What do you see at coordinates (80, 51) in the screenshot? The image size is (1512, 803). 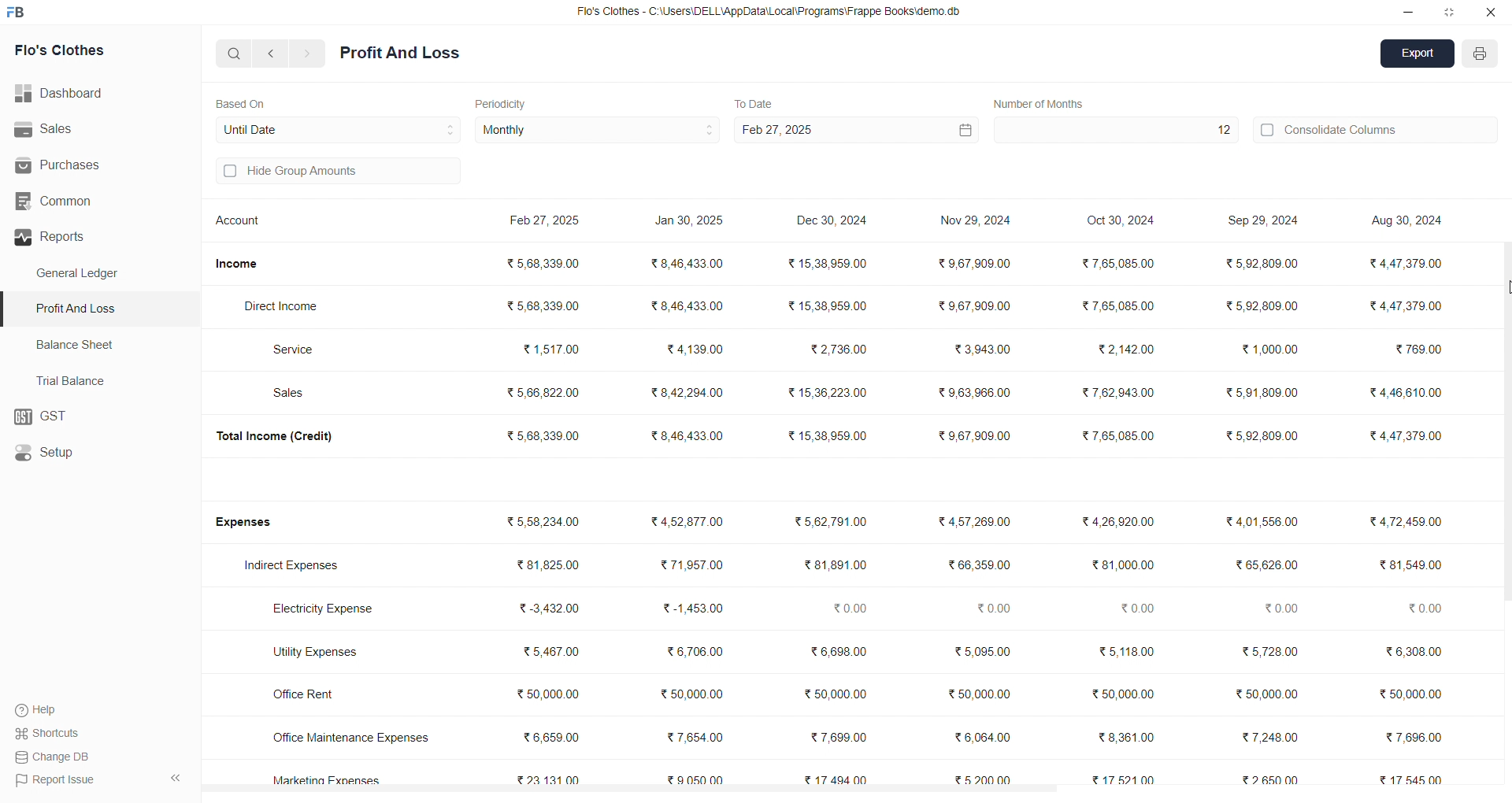 I see `Flo's Clothes` at bounding box center [80, 51].